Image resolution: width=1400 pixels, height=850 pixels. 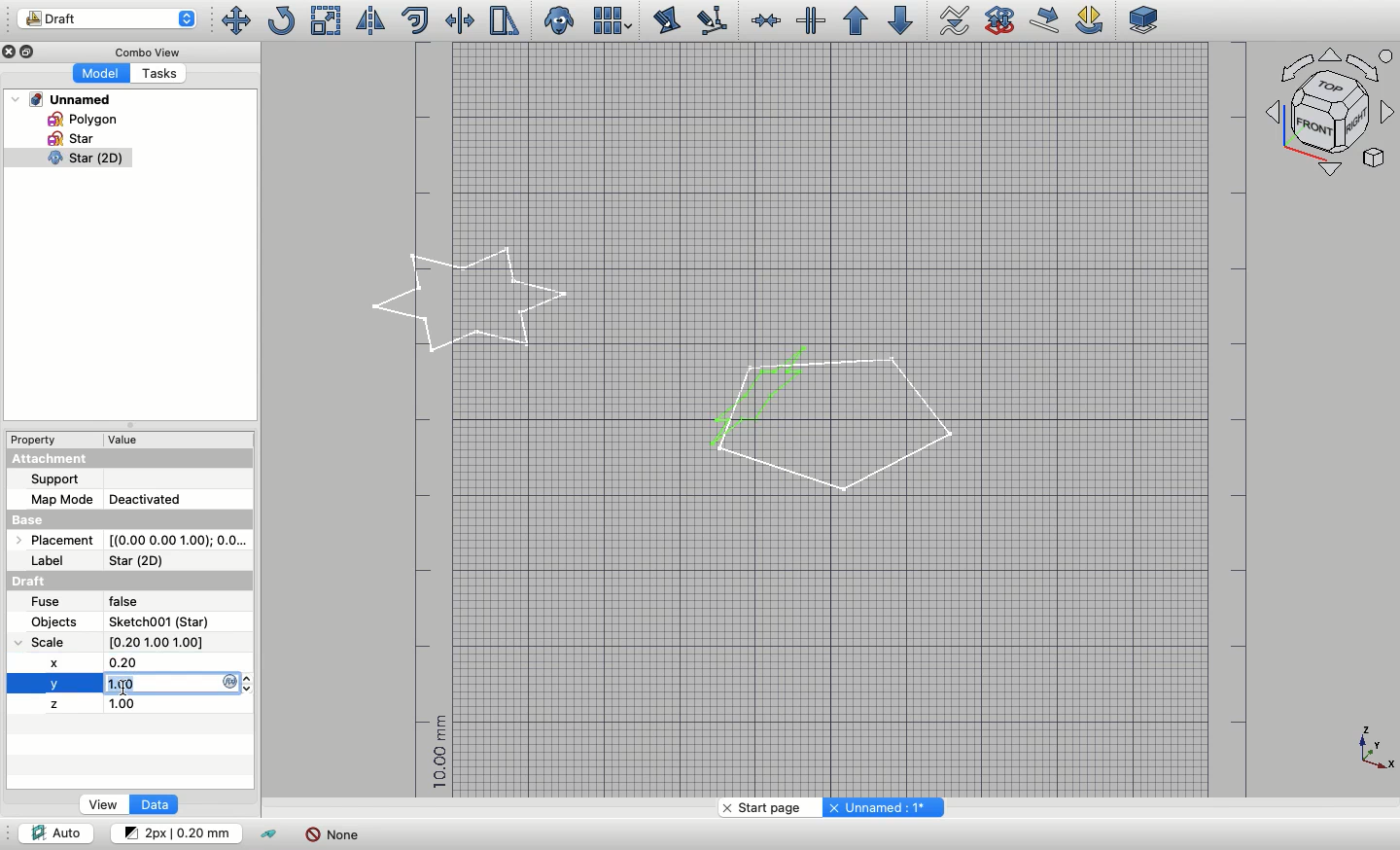 What do you see at coordinates (856, 21) in the screenshot?
I see `Upgrade` at bounding box center [856, 21].